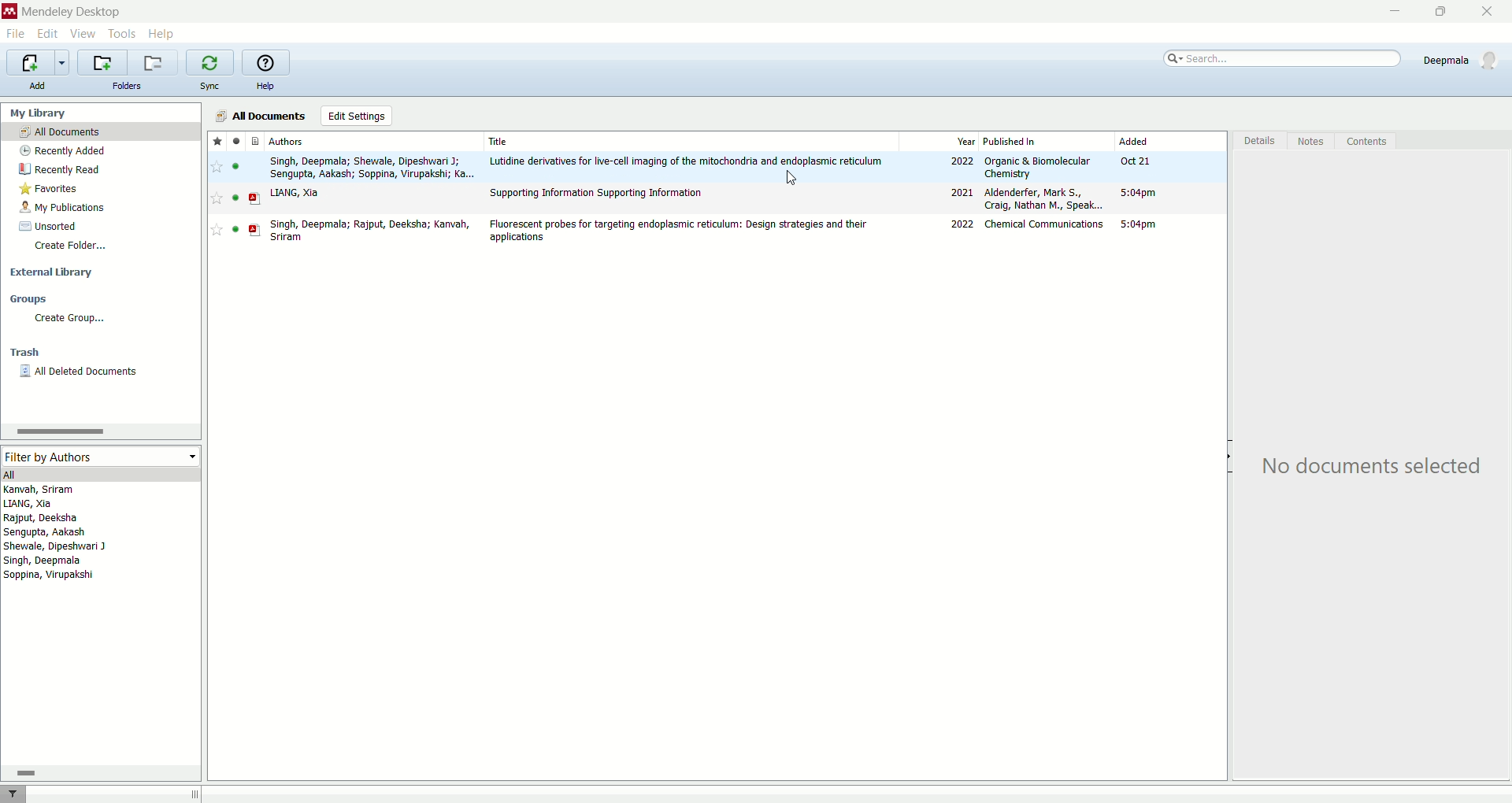 The height and width of the screenshot is (803, 1512). I want to click on remove current folder, so click(152, 62).